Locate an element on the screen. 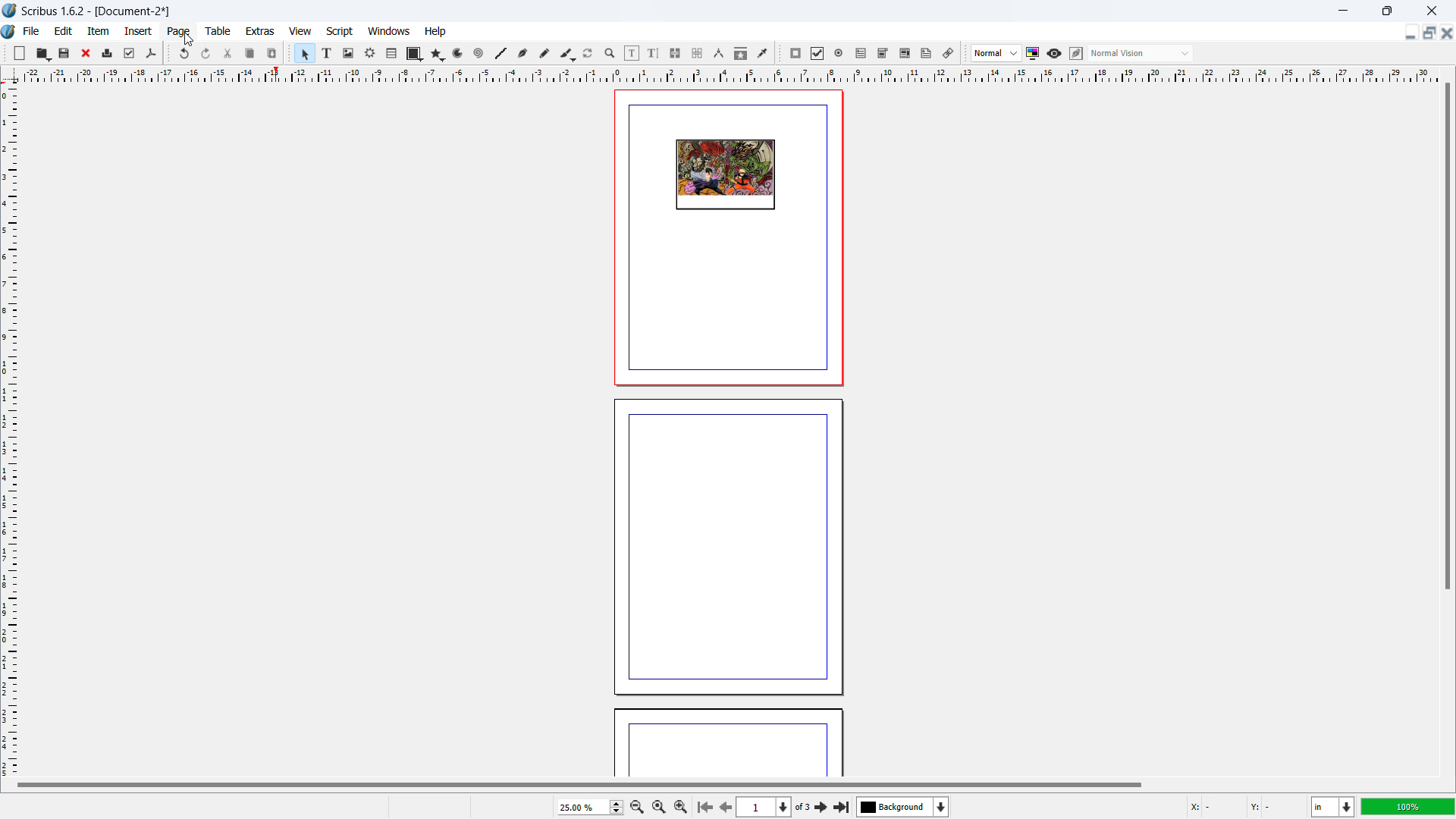  table is located at coordinates (392, 54).